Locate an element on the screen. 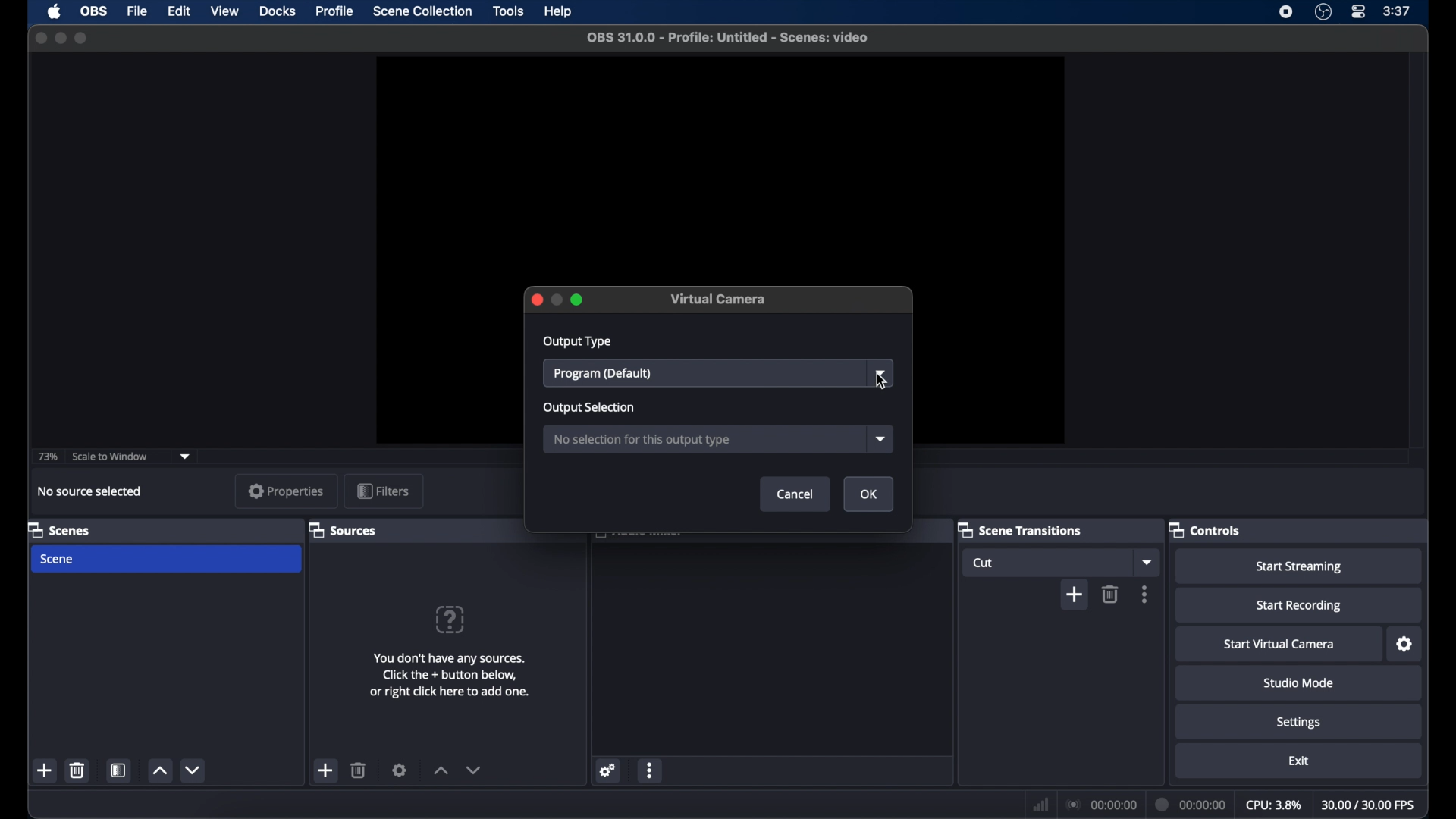  dropdown is located at coordinates (1146, 562).